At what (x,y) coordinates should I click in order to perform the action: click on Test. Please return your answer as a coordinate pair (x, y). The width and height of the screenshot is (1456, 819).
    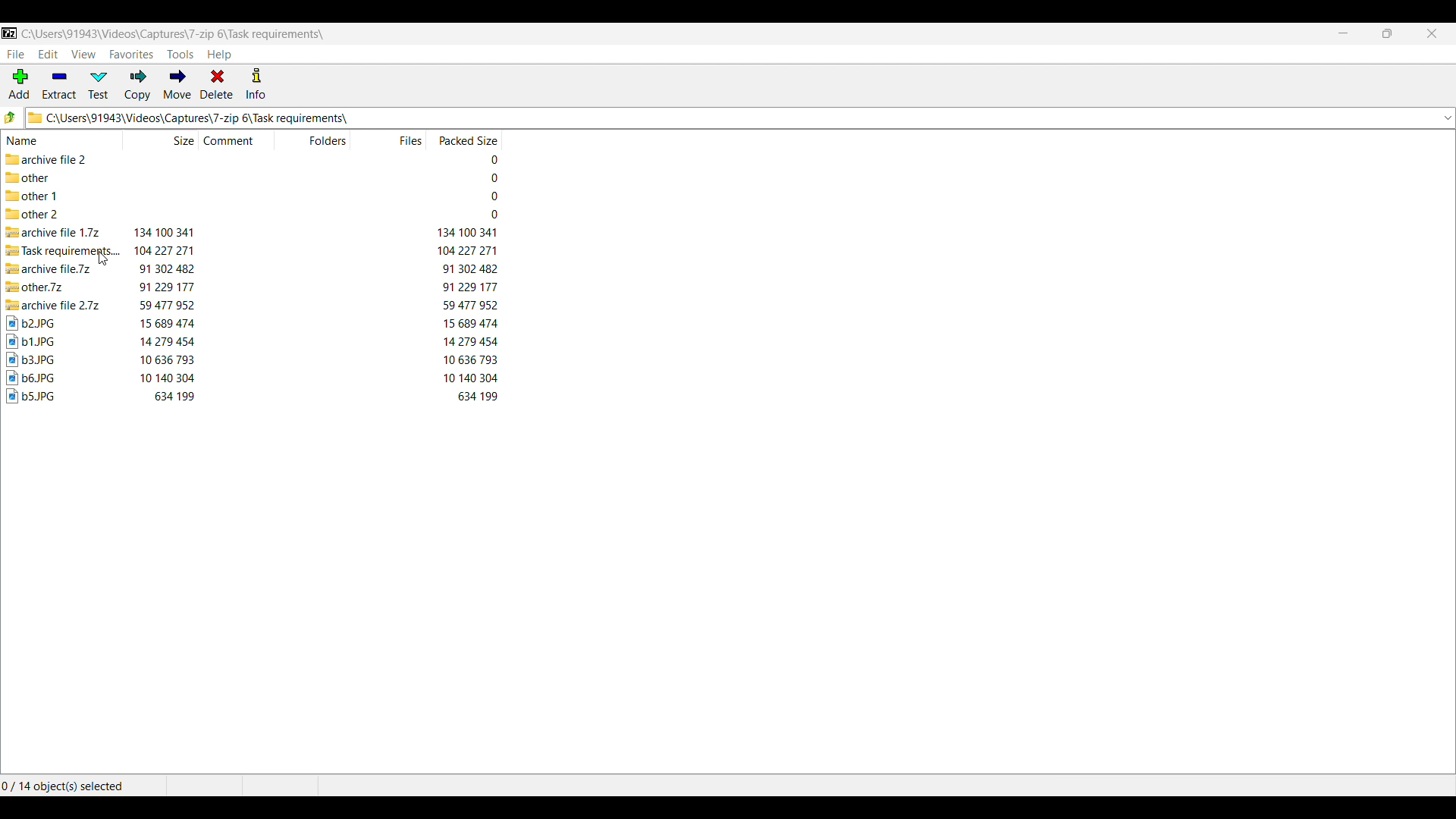
    Looking at the image, I should click on (99, 86).